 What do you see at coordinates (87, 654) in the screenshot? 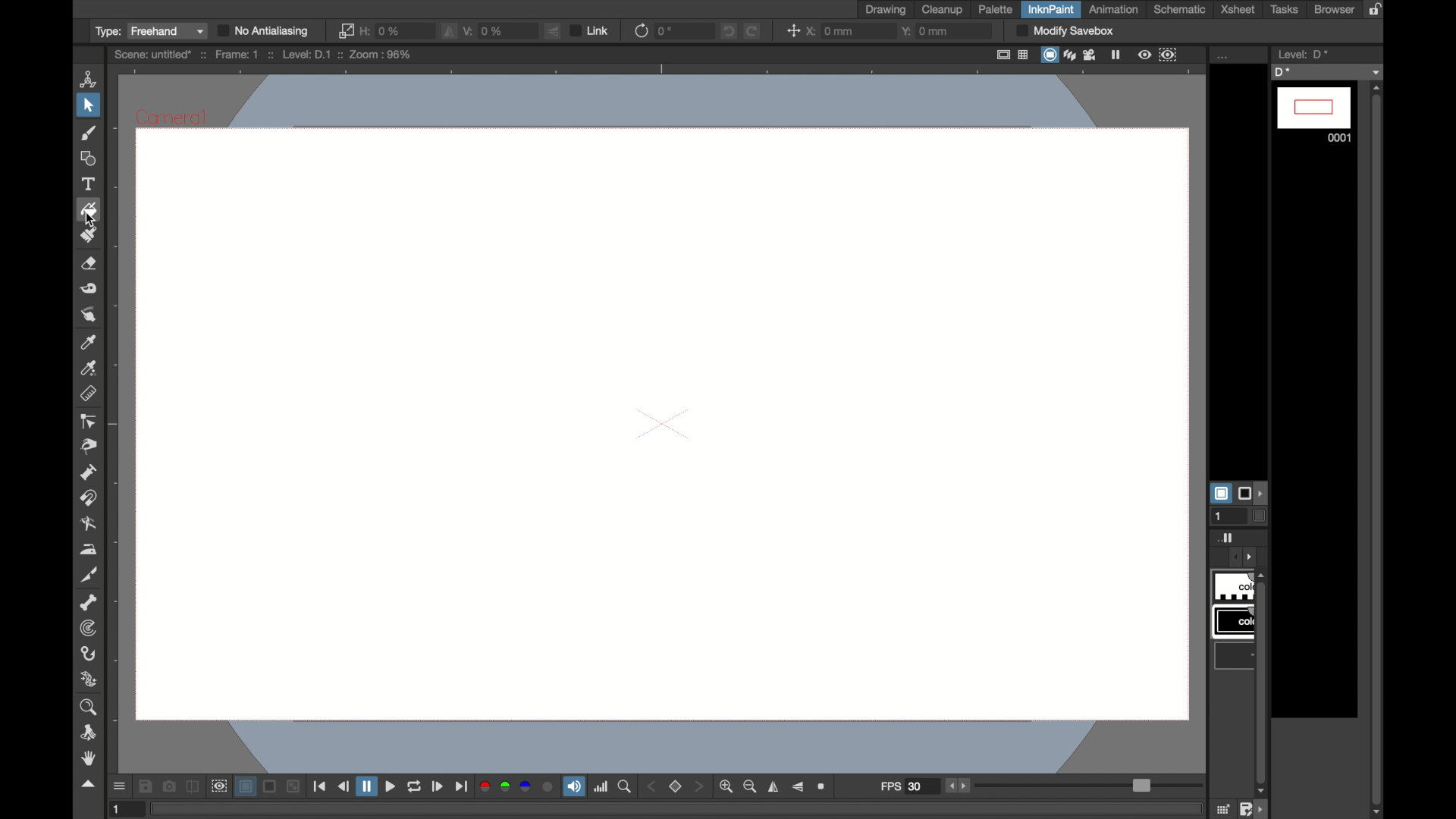
I see `hook tool` at bounding box center [87, 654].